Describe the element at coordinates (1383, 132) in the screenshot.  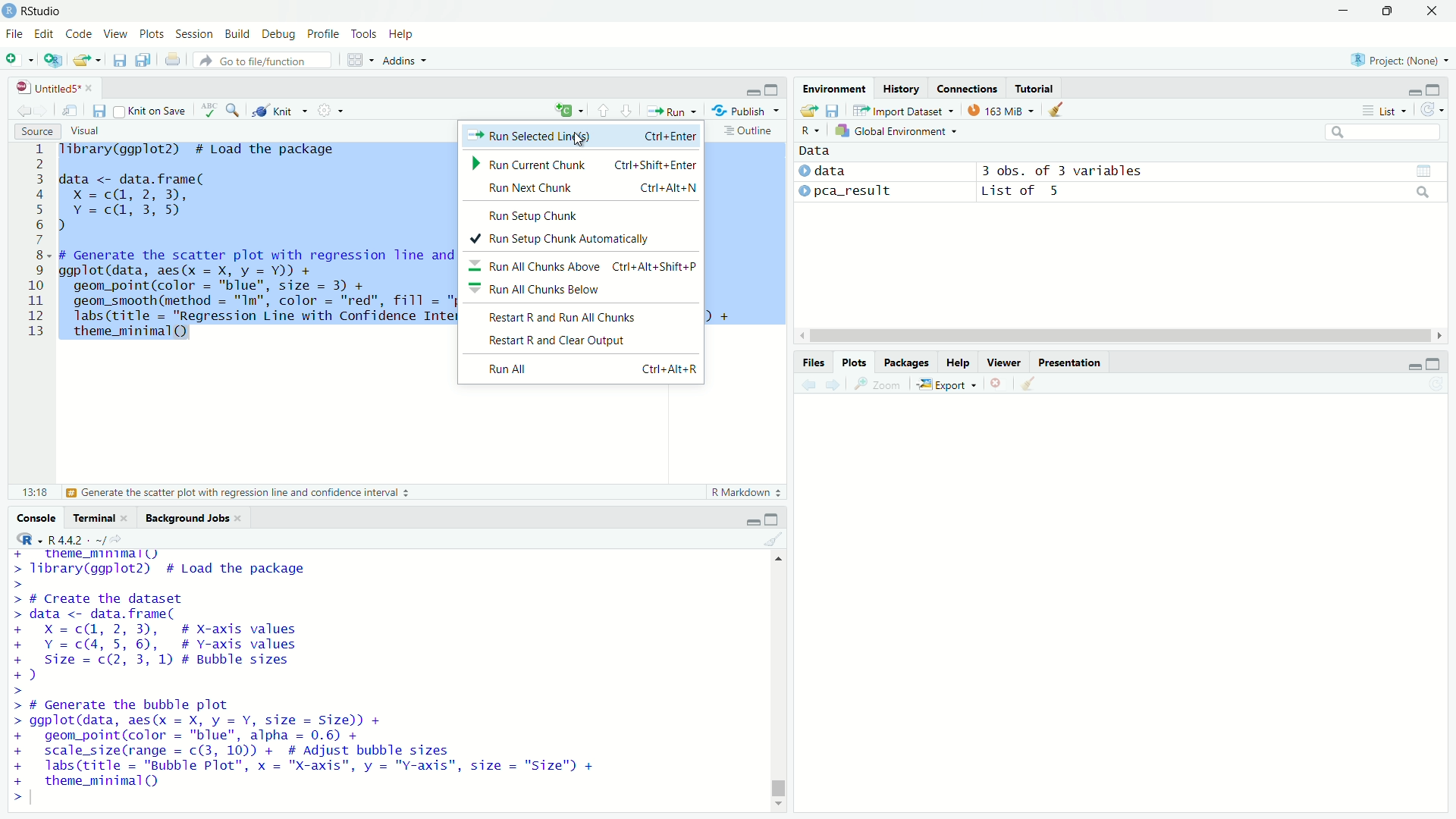
I see `search` at that location.